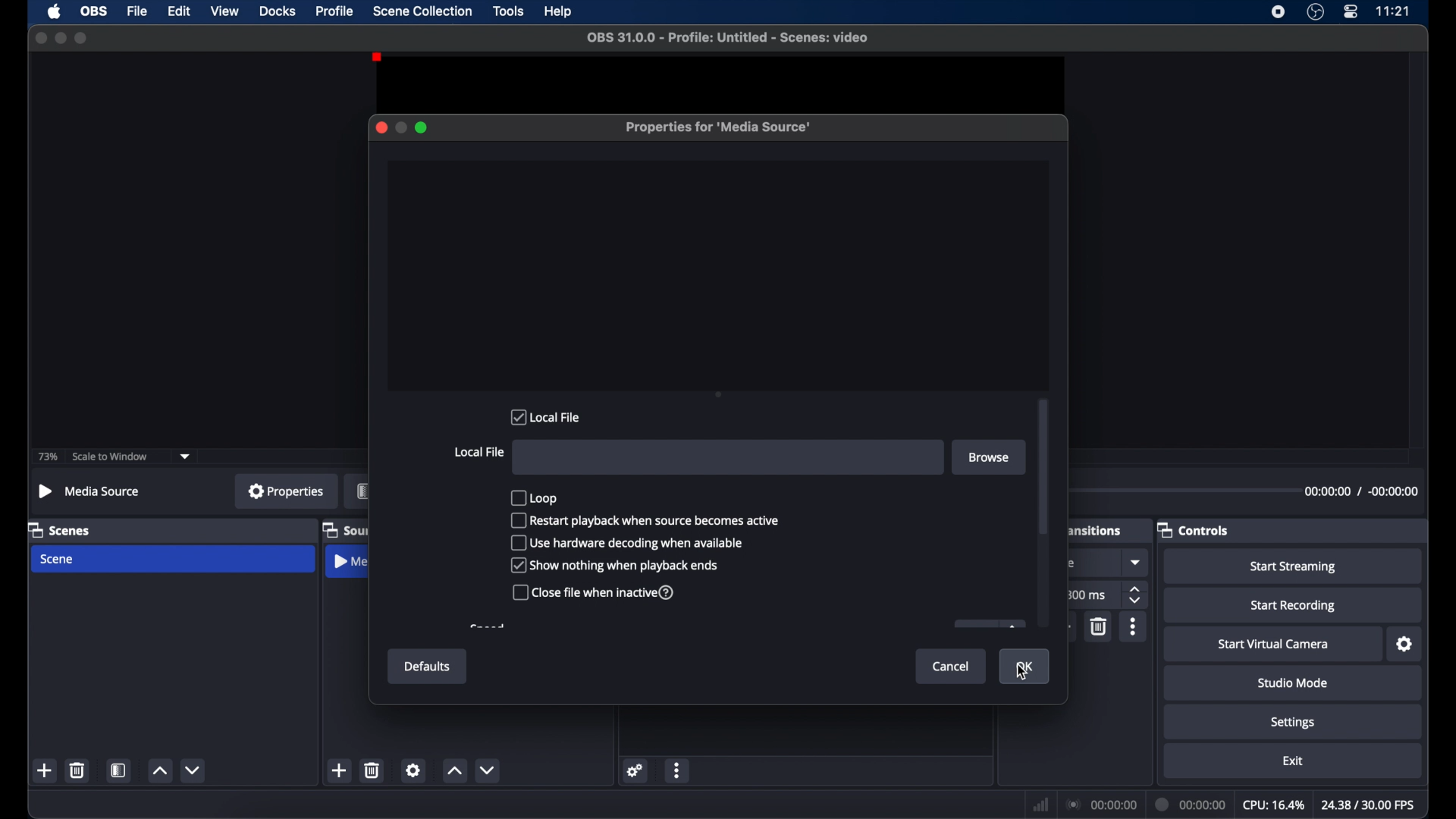 This screenshot has width=1456, height=819. Describe the element at coordinates (364, 491) in the screenshot. I see `filters` at that location.